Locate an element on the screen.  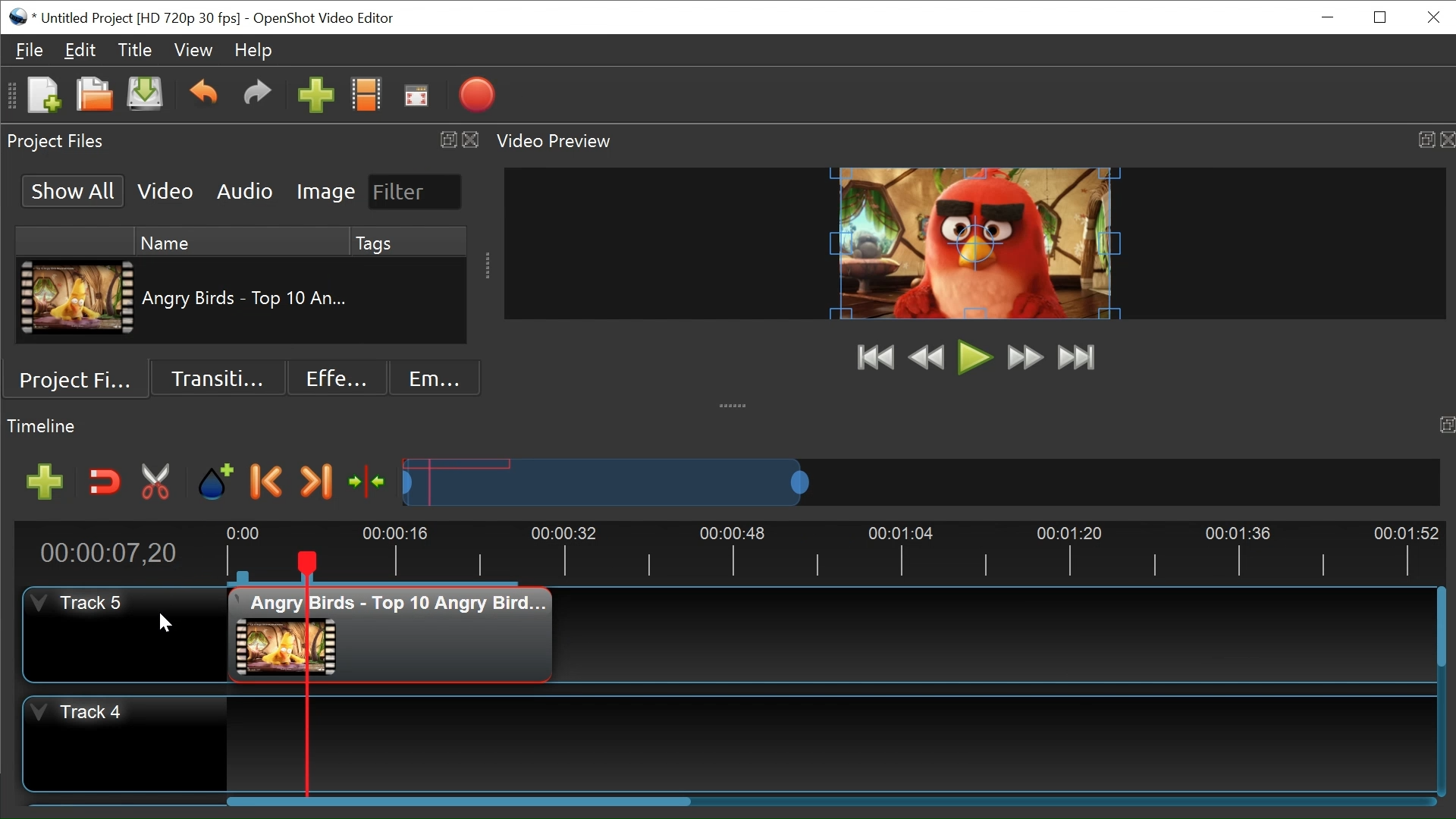
Razor is located at coordinates (157, 482).